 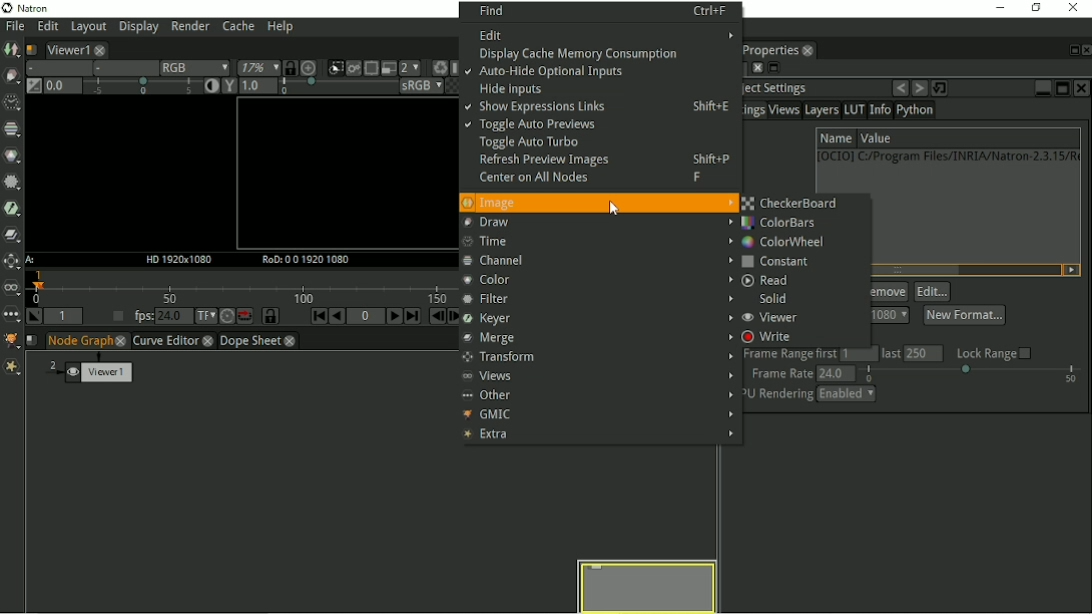 What do you see at coordinates (13, 130) in the screenshot?
I see `Channel` at bounding box center [13, 130].